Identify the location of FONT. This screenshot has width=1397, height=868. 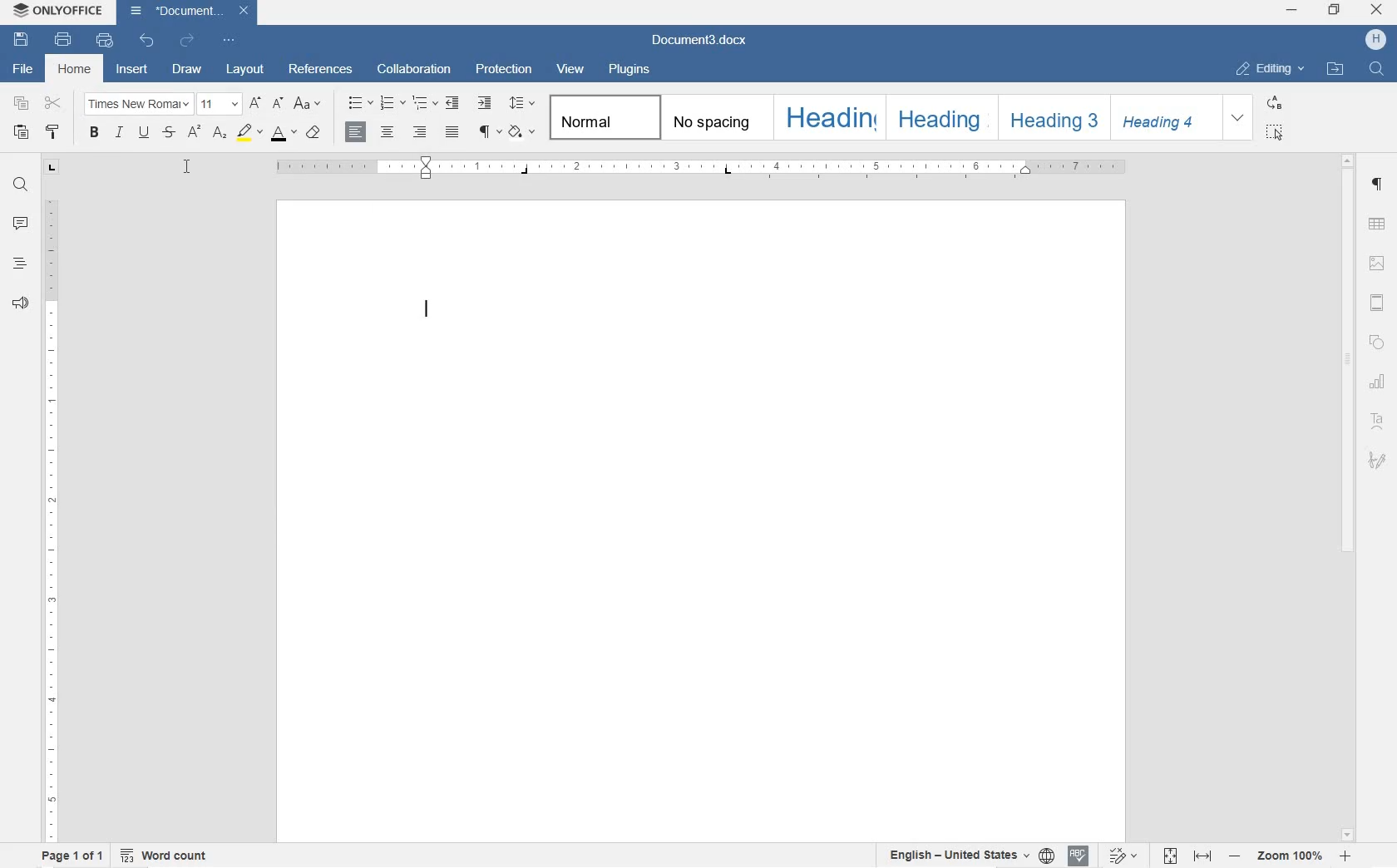
(229, 134).